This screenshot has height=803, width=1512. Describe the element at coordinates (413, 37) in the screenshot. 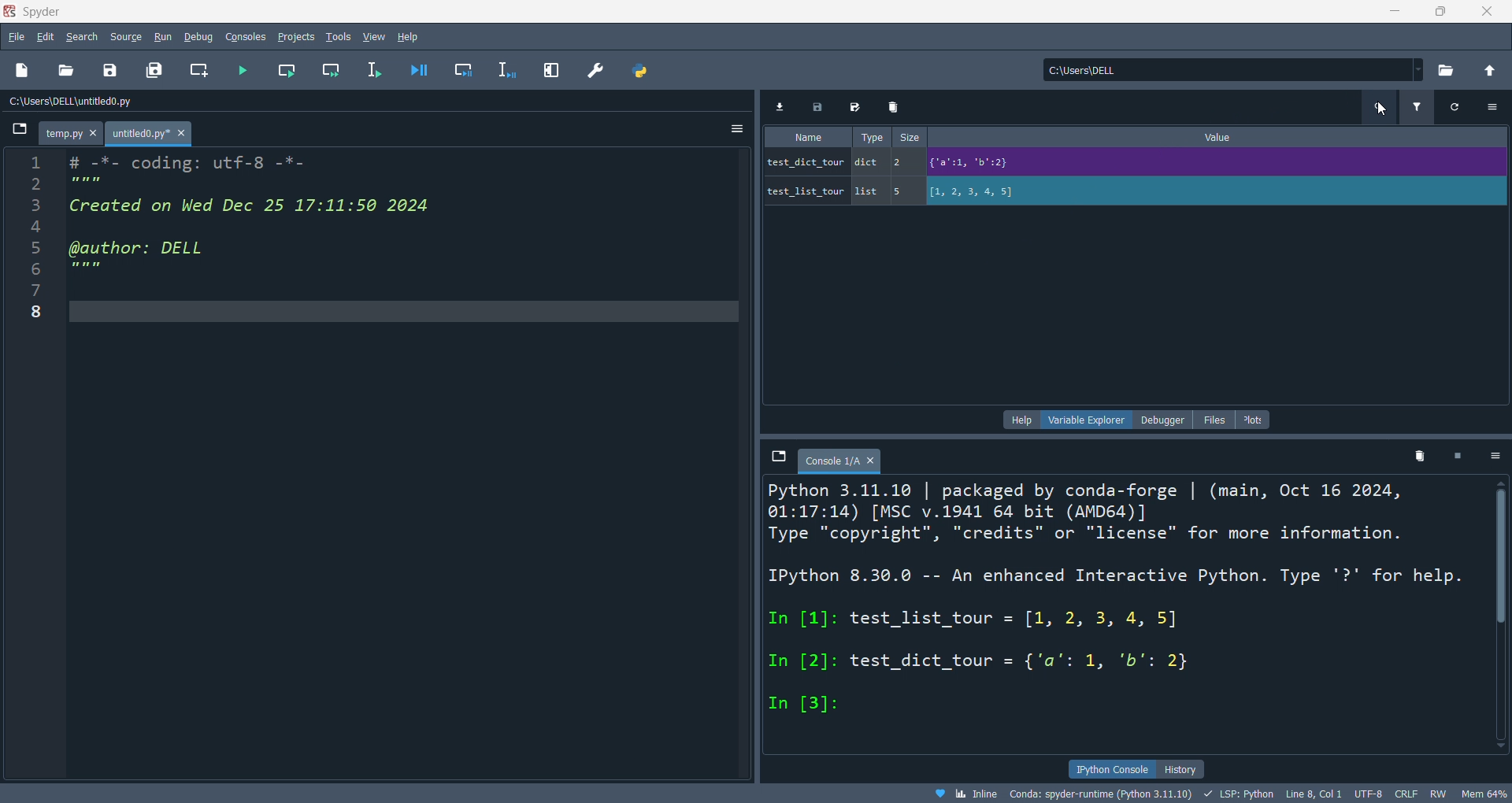

I see `help` at that location.